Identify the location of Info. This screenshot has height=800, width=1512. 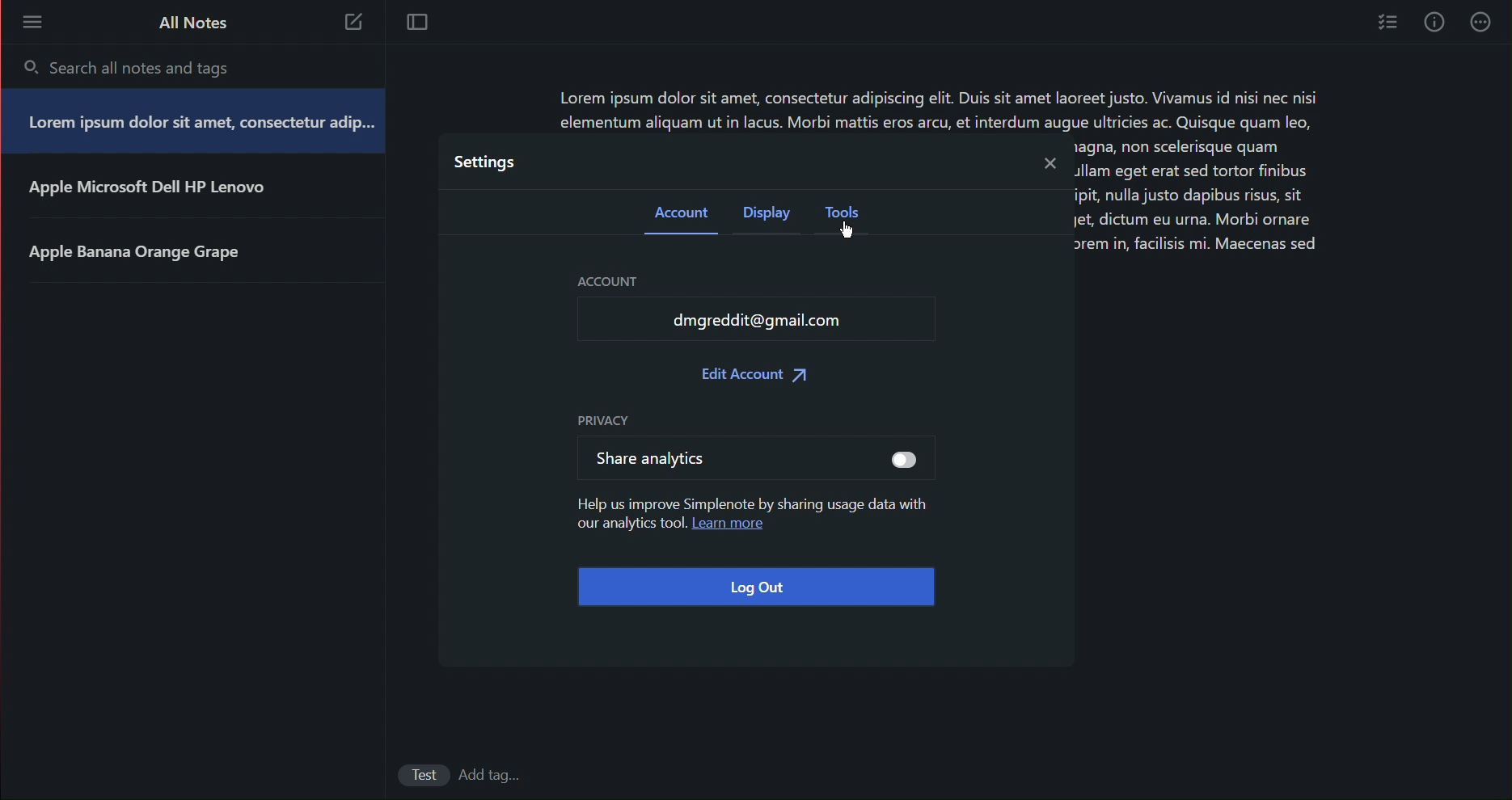
(1435, 23).